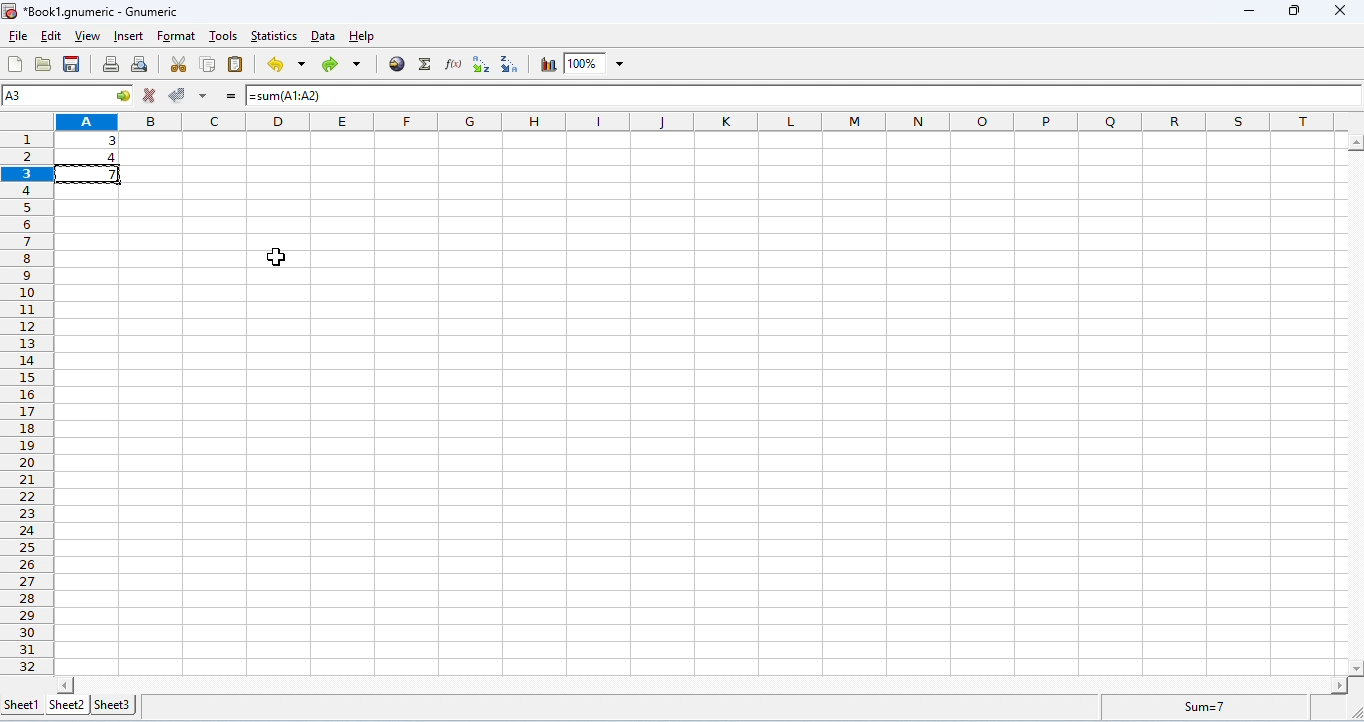  I want to click on zoom, so click(595, 63).